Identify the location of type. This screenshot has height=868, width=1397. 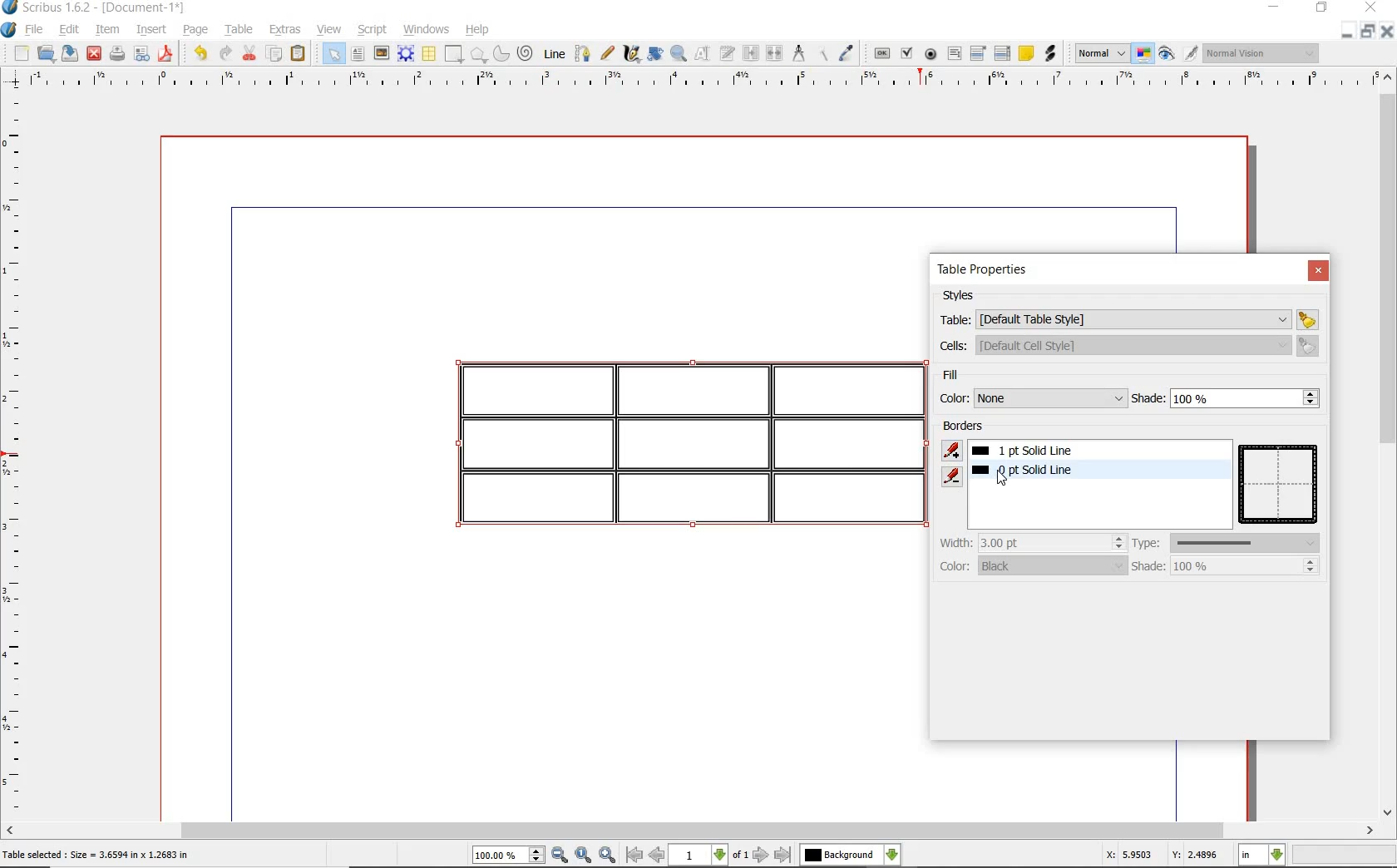
(1229, 542).